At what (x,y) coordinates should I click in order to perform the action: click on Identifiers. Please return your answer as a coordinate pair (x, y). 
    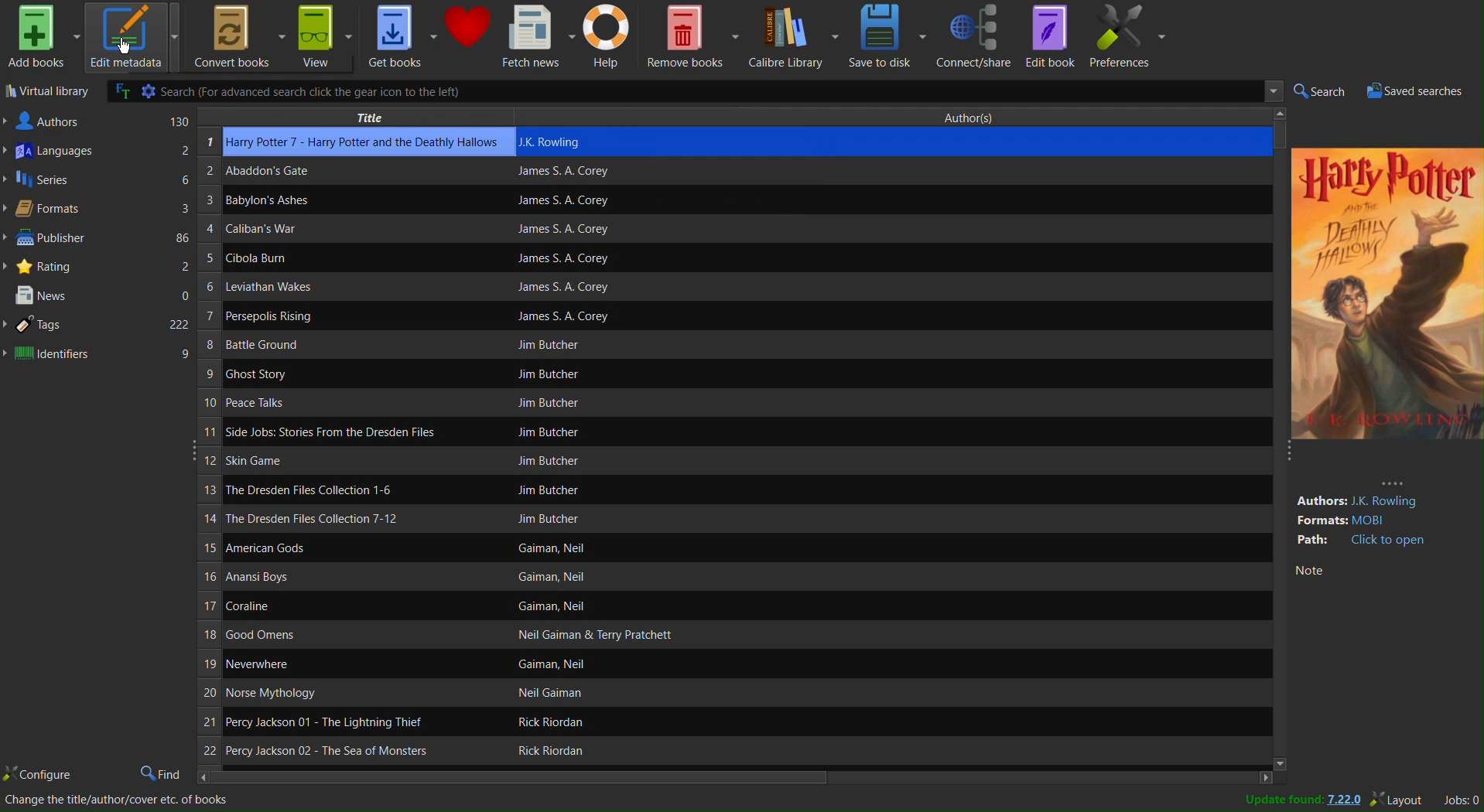
    Looking at the image, I should click on (100, 355).